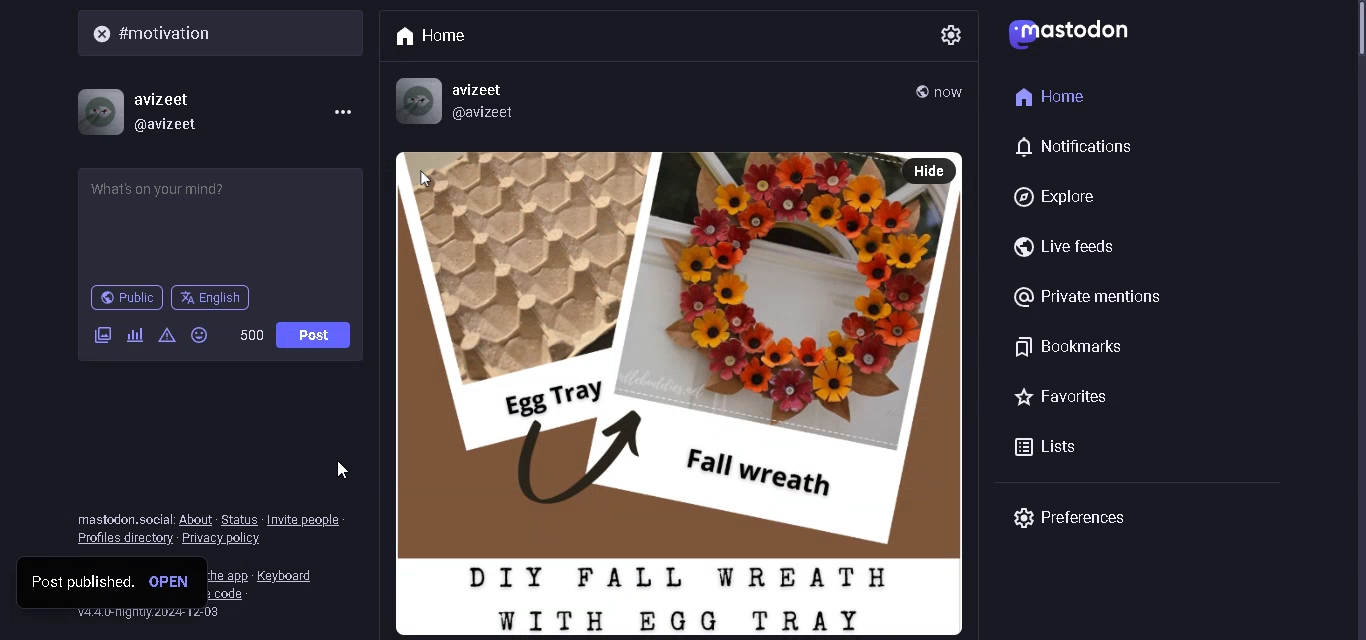 The image size is (1366, 640). Describe the element at coordinates (1067, 344) in the screenshot. I see `bookmarks` at that location.